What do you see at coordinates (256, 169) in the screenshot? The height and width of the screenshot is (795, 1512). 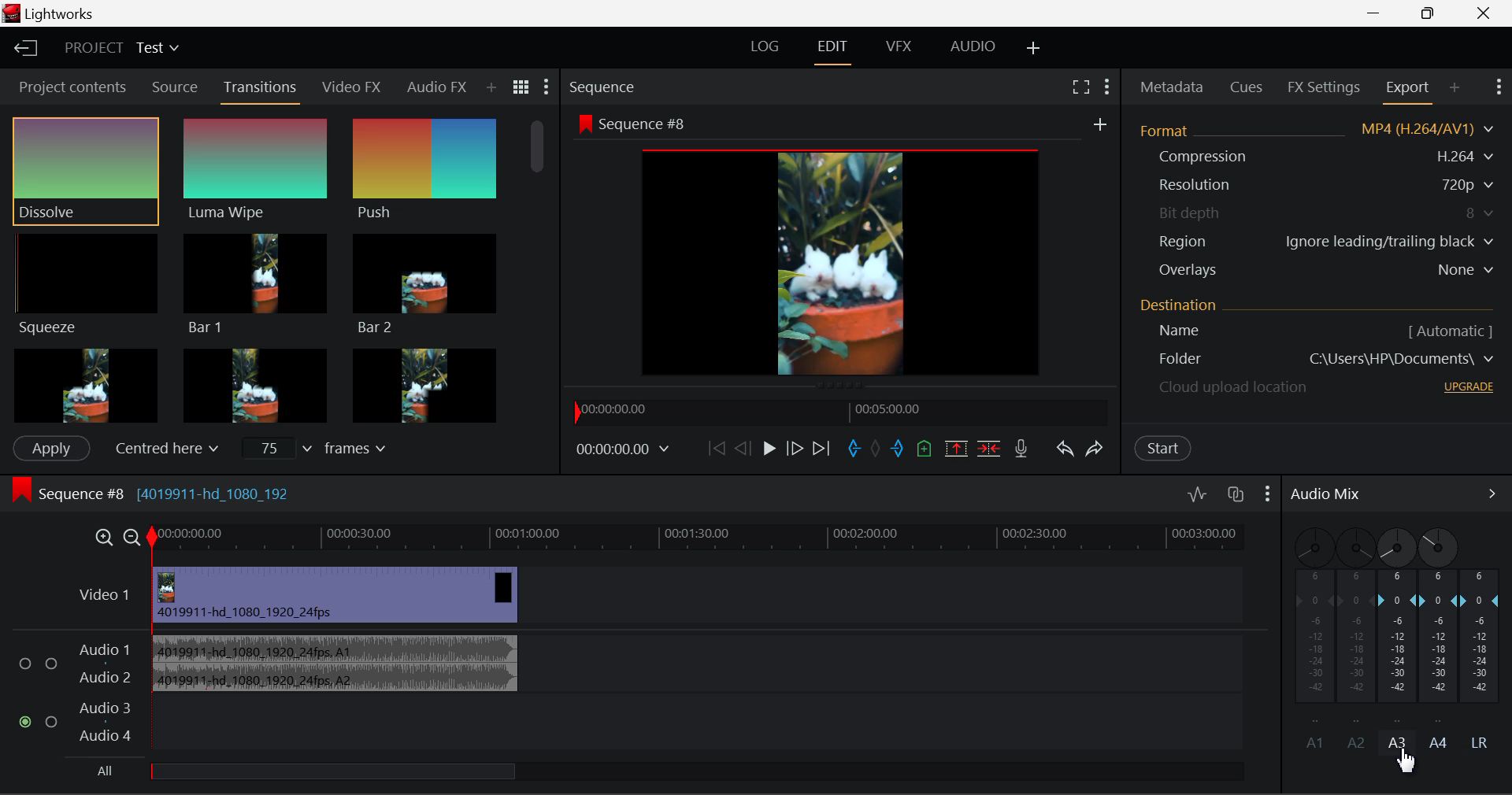 I see `Luma Wipe` at bounding box center [256, 169].